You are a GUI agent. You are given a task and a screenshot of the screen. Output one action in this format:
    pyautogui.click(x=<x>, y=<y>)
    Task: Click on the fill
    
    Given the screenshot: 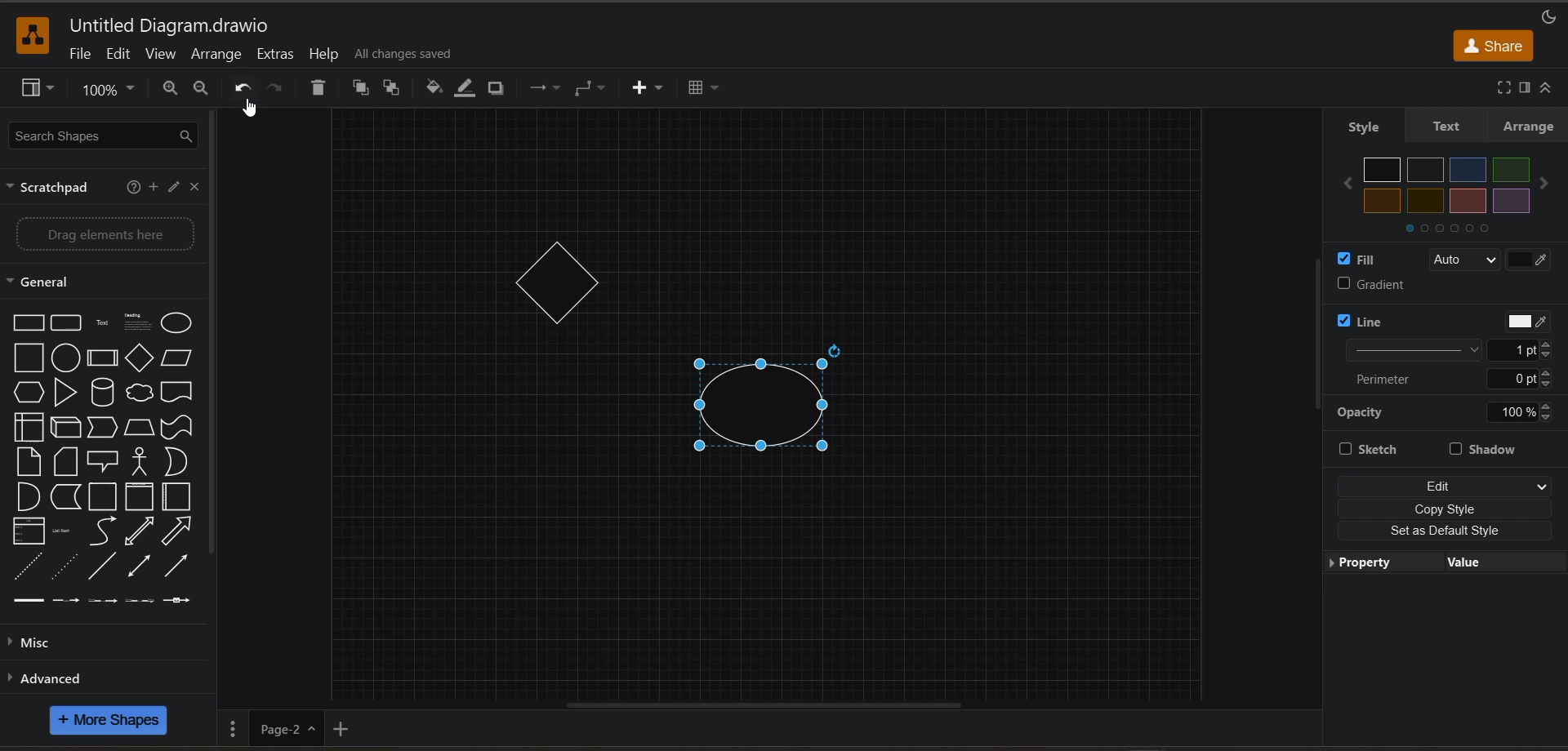 What is the action you would take?
    pyautogui.click(x=1451, y=259)
    